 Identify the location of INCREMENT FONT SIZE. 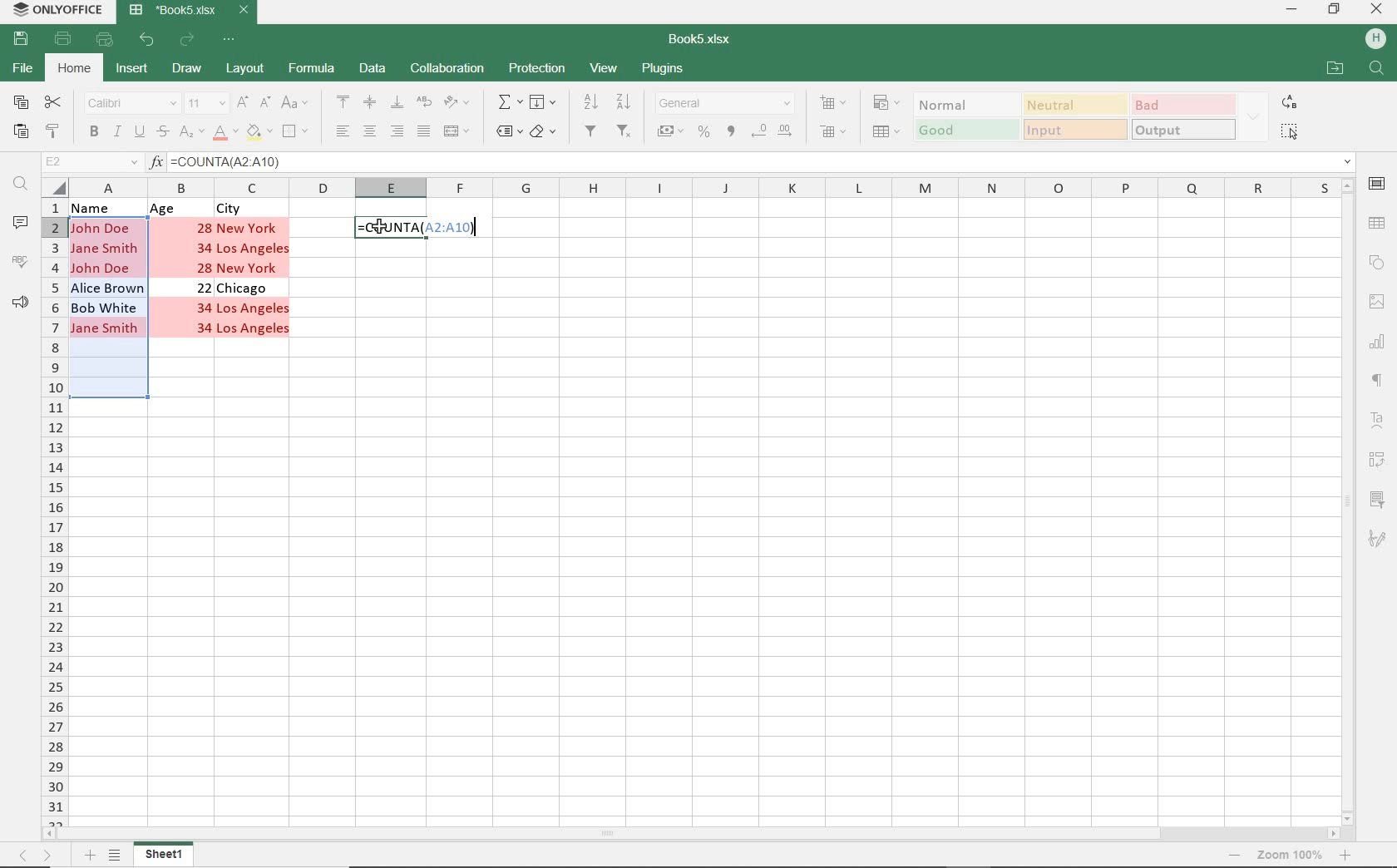
(243, 103).